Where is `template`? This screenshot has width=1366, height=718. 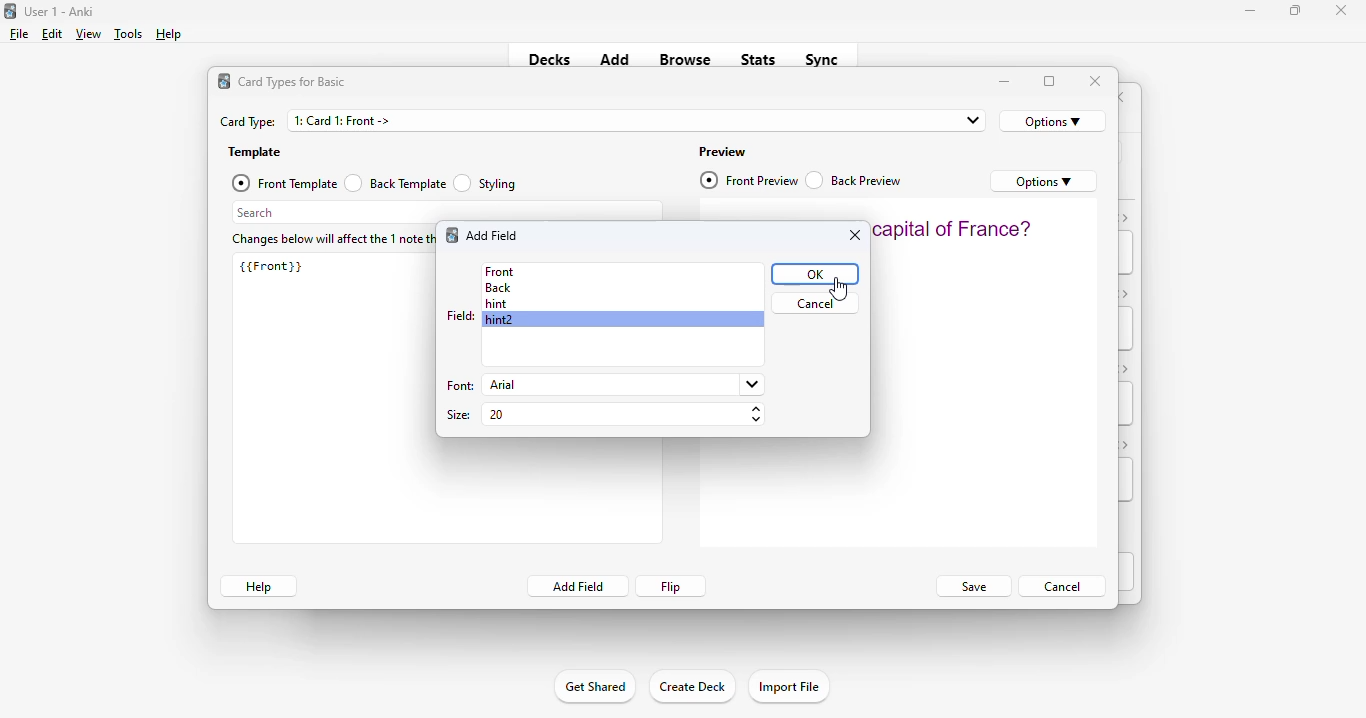 template is located at coordinates (255, 153).